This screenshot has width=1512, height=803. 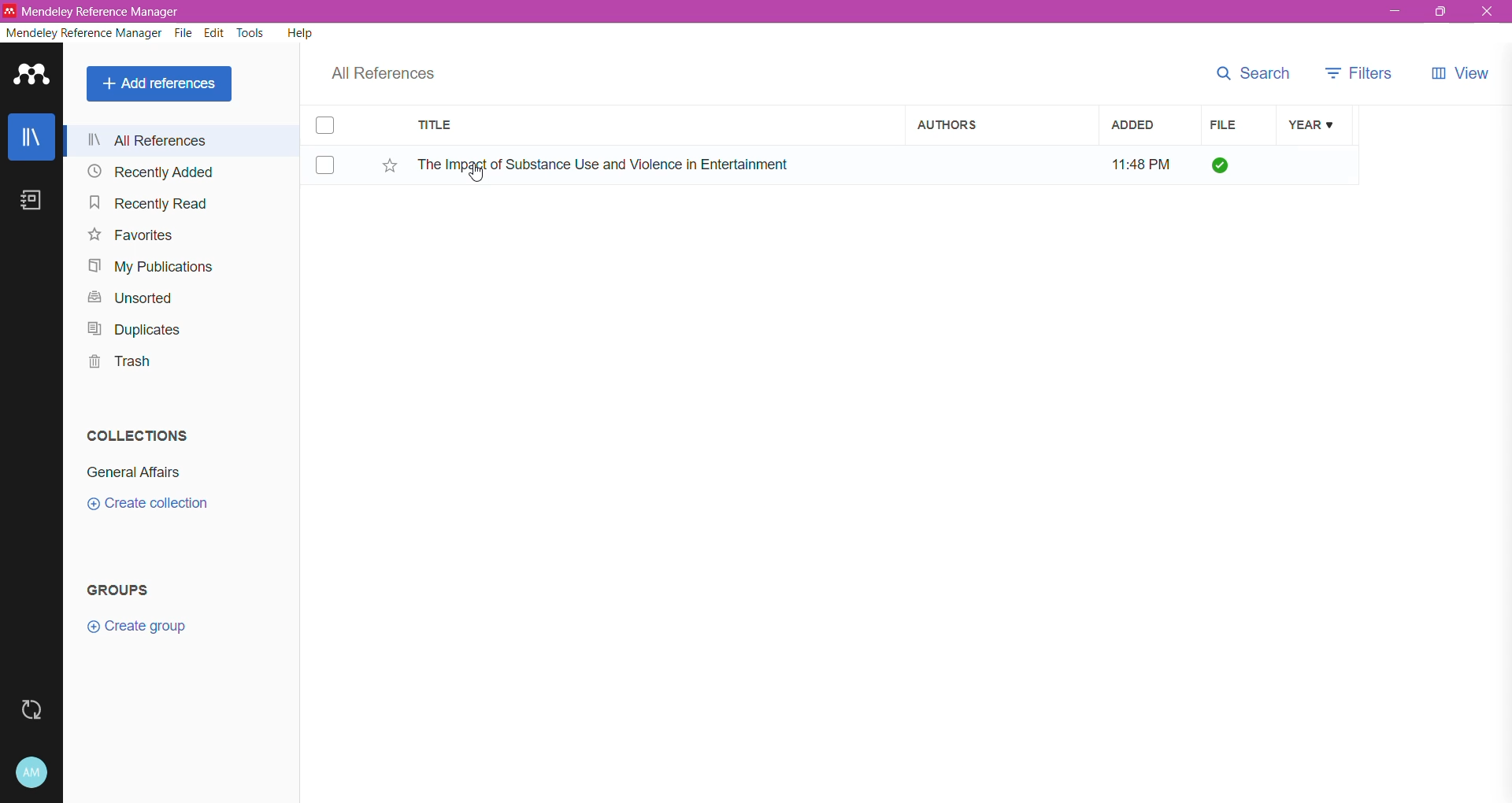 What do you see at coordinates (1395, 12) in the screenshot?
I see `Minimize` at bounding box center [1395, 12].